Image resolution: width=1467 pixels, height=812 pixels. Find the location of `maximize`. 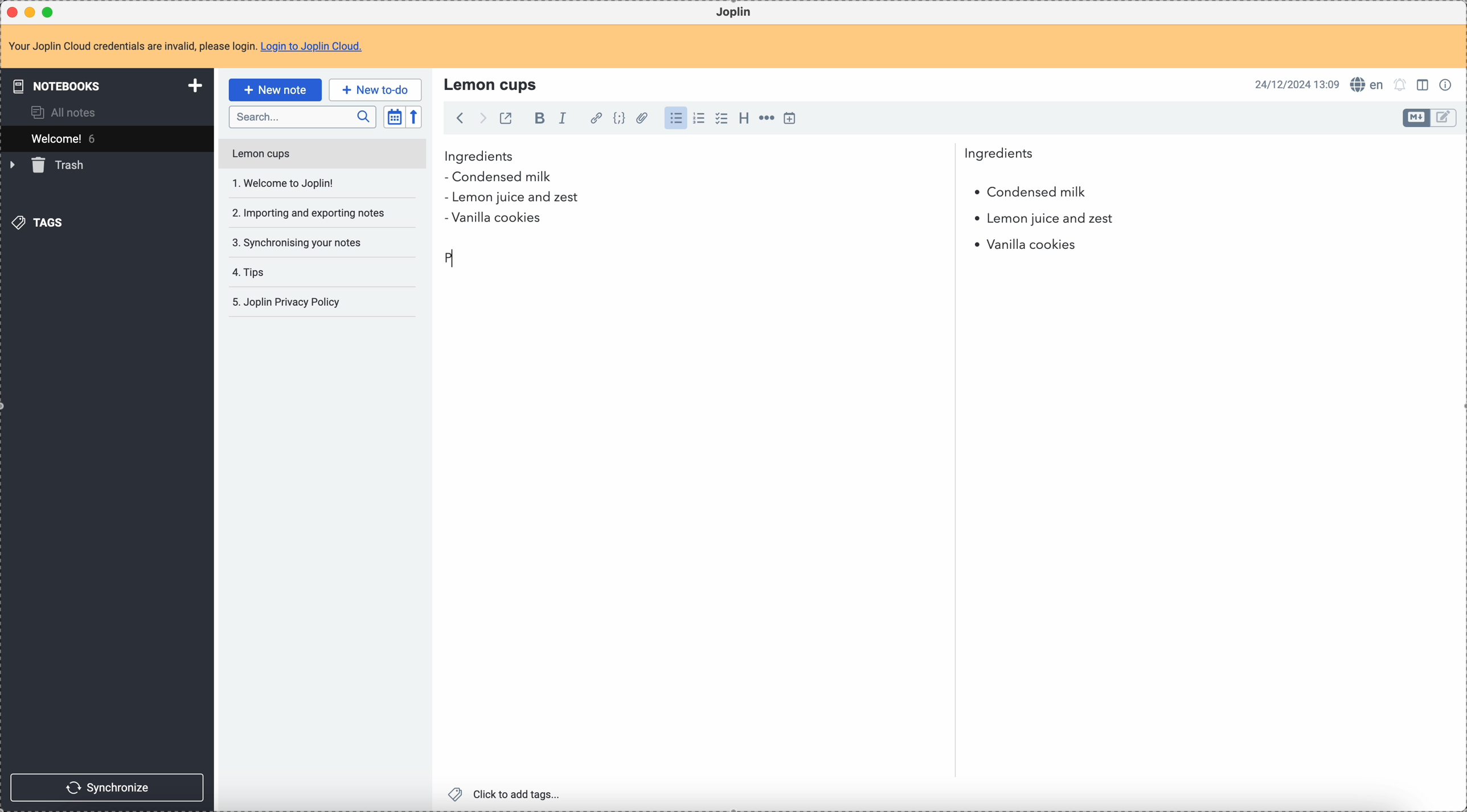

maximize is located at coordinates (51, 11).